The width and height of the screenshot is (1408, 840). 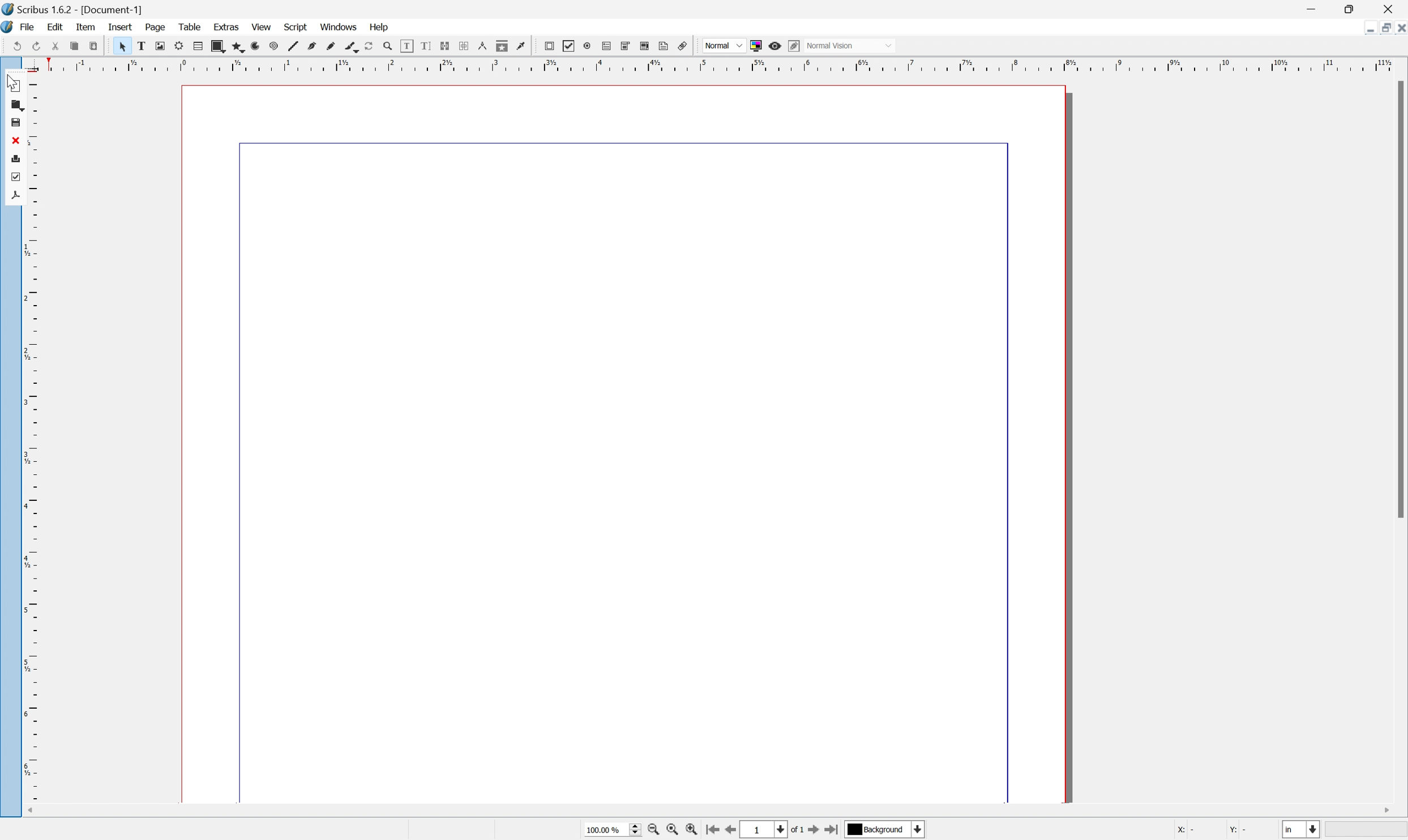 What do you see at coordinates (54, 45) in the screenshot?
I see `save` at bounding box center [54, 45].